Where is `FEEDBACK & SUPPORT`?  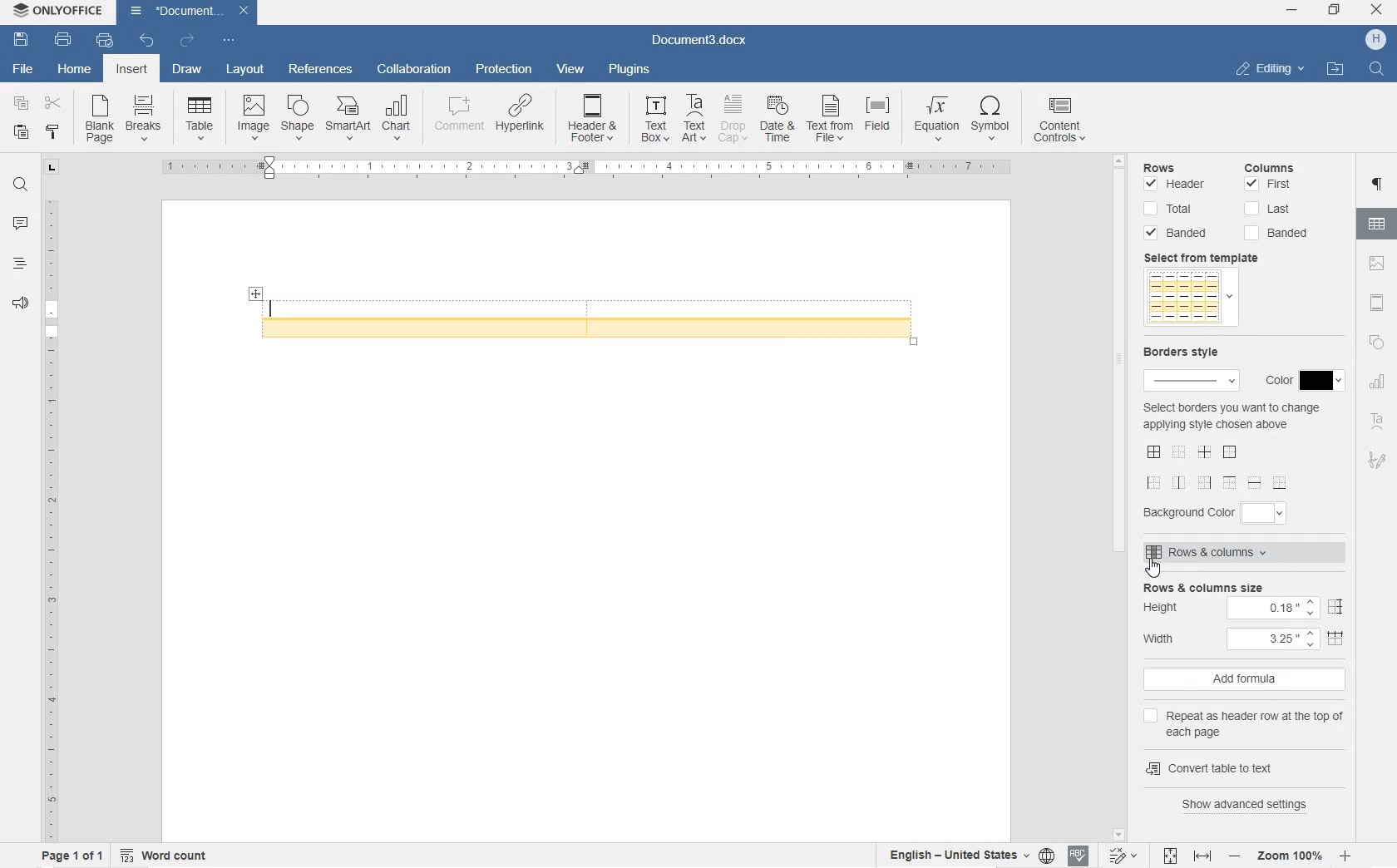 FEEDBACK & SUPPORT is located at coordinates (17, 303).